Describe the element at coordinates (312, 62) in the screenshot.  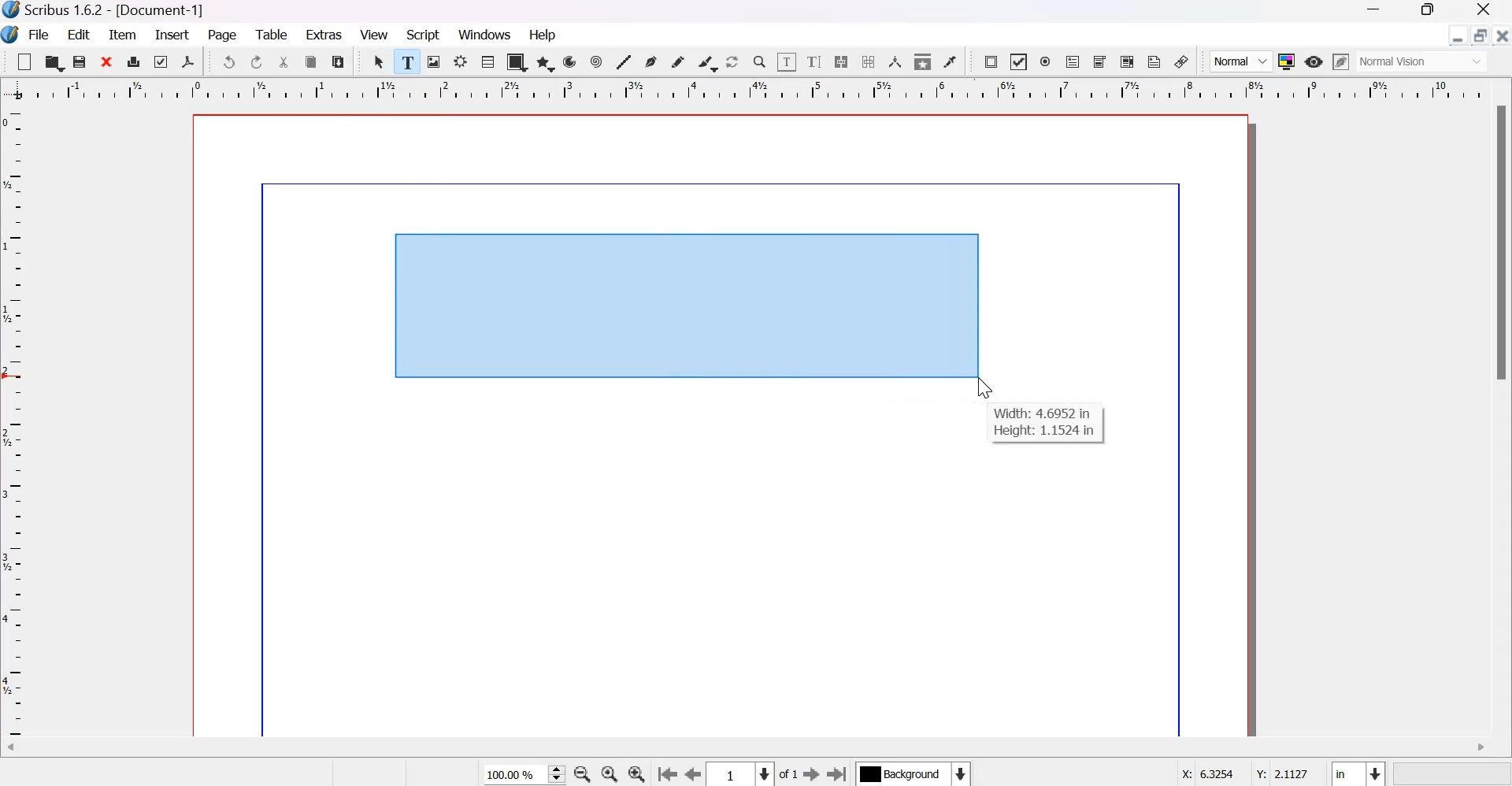
I see `copy` at that location.